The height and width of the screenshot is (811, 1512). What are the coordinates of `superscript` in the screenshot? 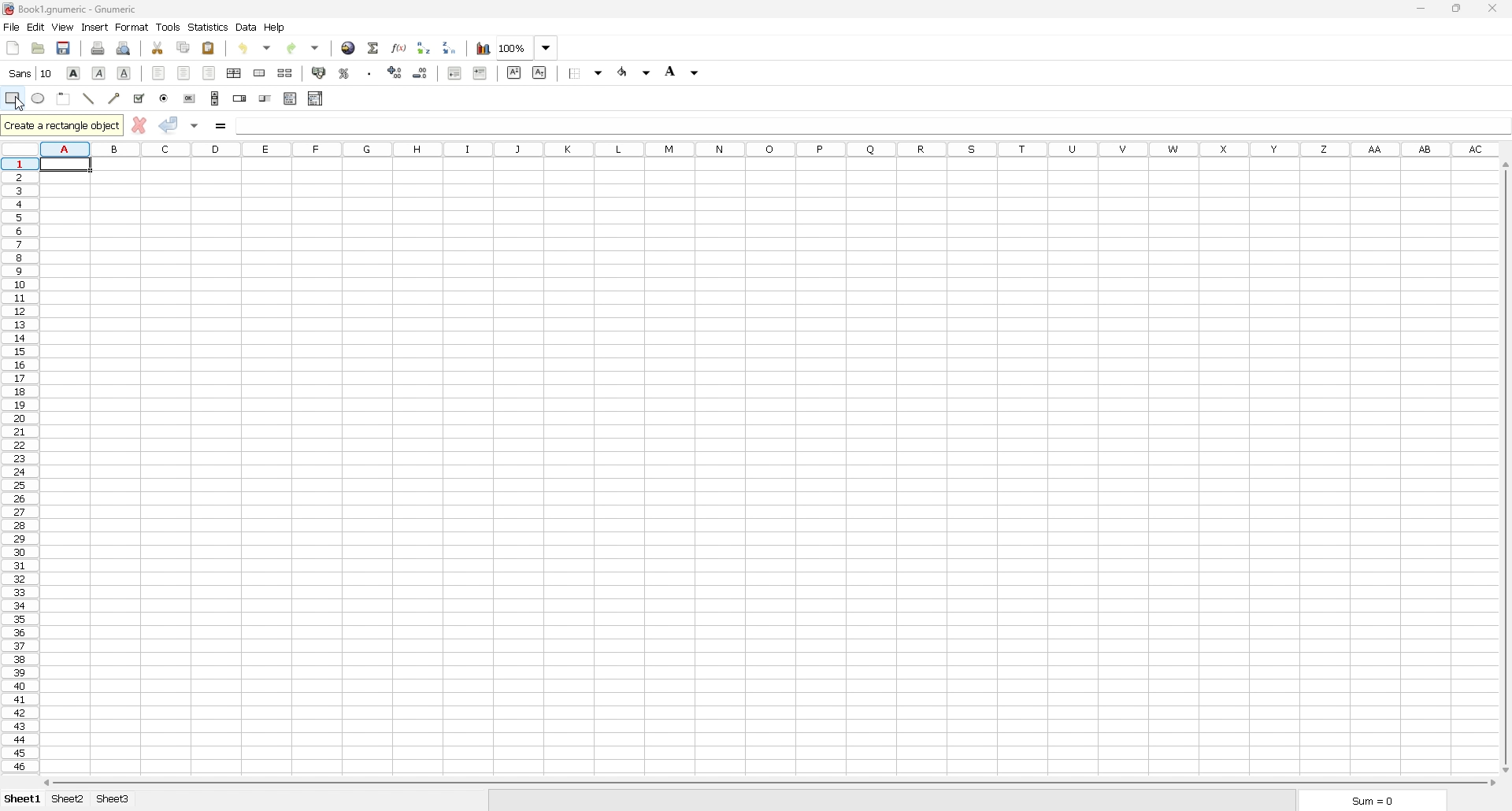 It's located at (514, 72).